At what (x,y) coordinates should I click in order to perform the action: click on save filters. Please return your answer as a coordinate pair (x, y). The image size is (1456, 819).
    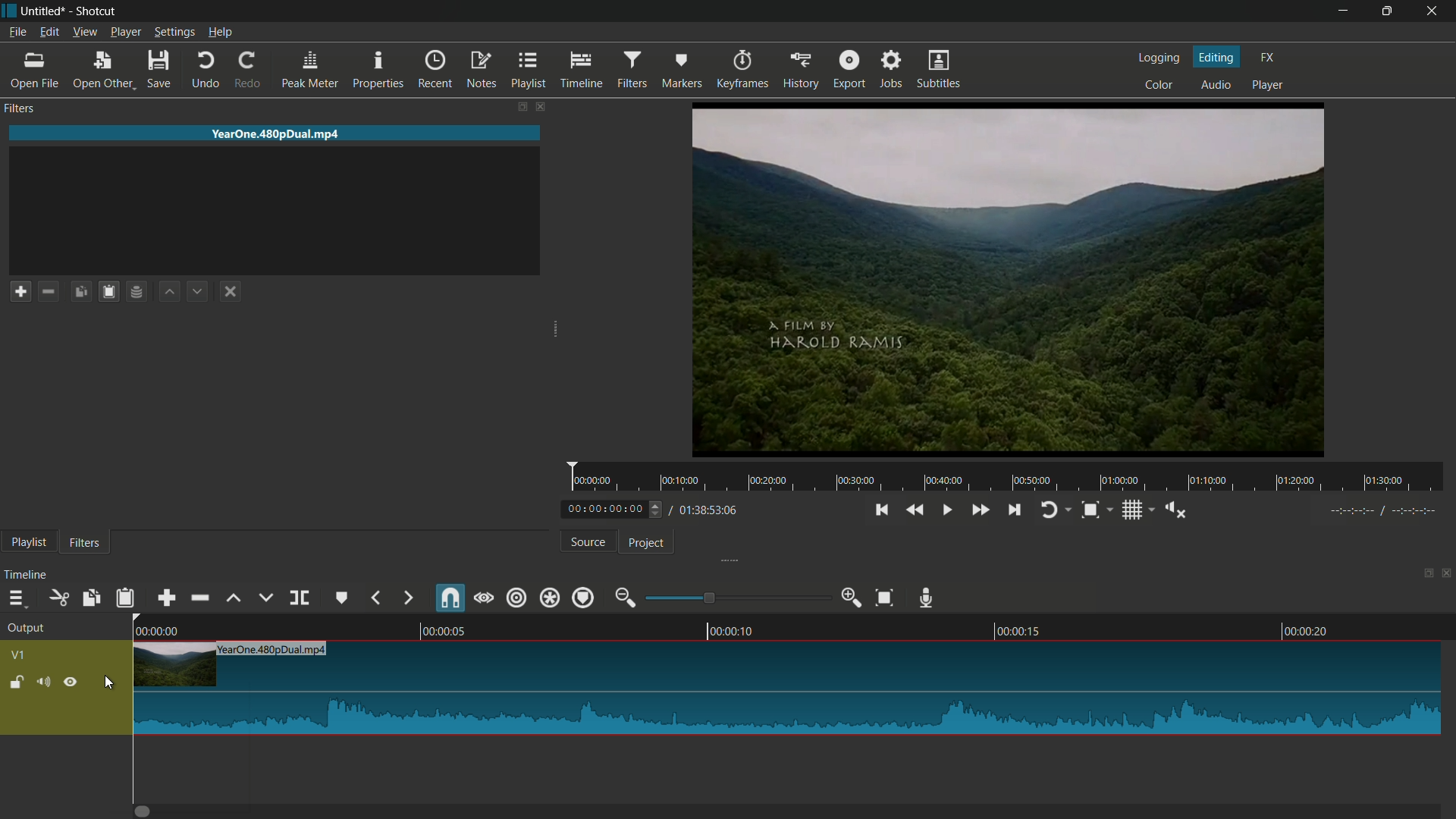
    Looking at the image, I should click on (110, 292).